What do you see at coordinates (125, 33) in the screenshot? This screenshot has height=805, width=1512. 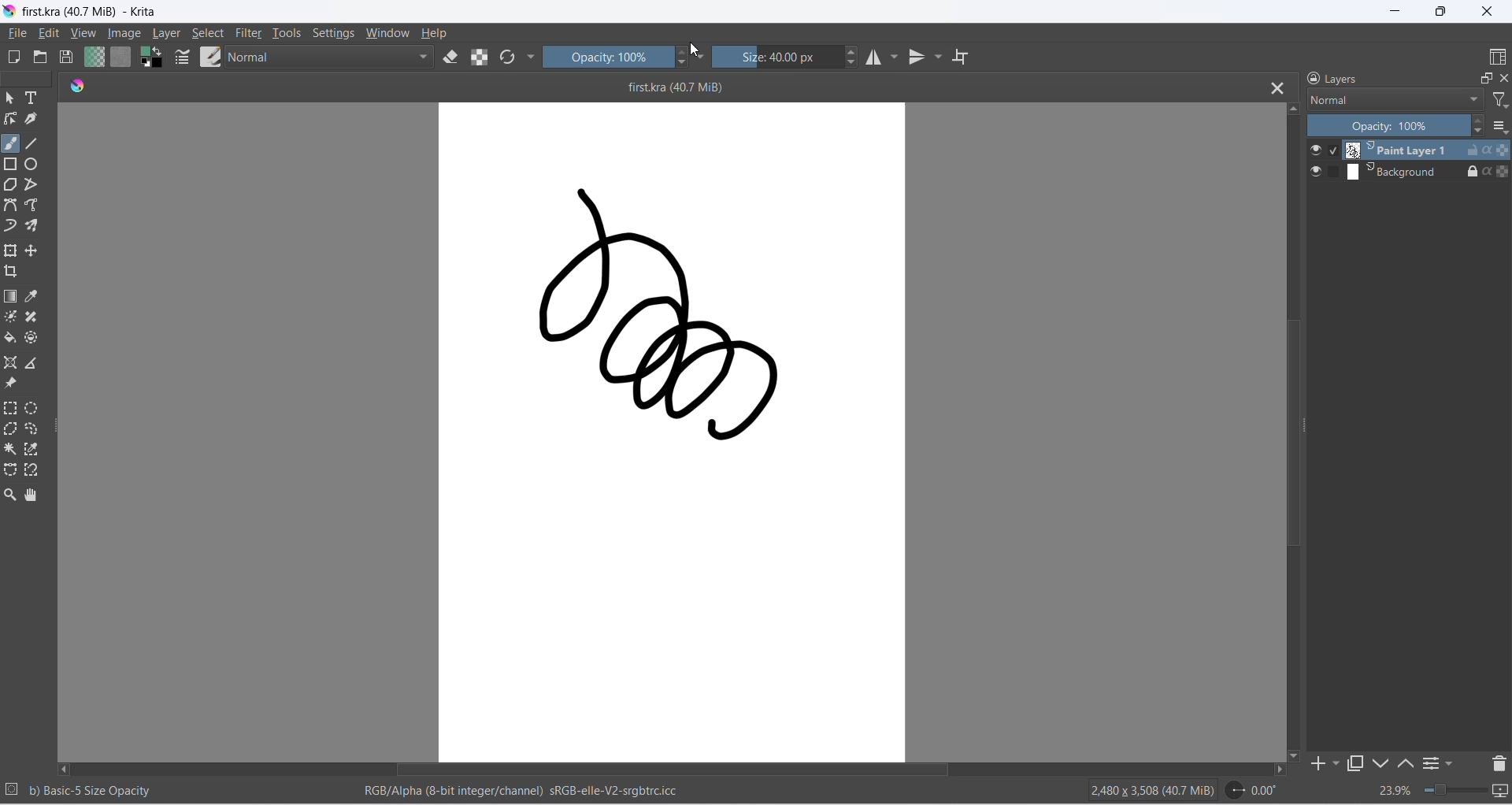 I see `image` at bounding box center [125, 33].